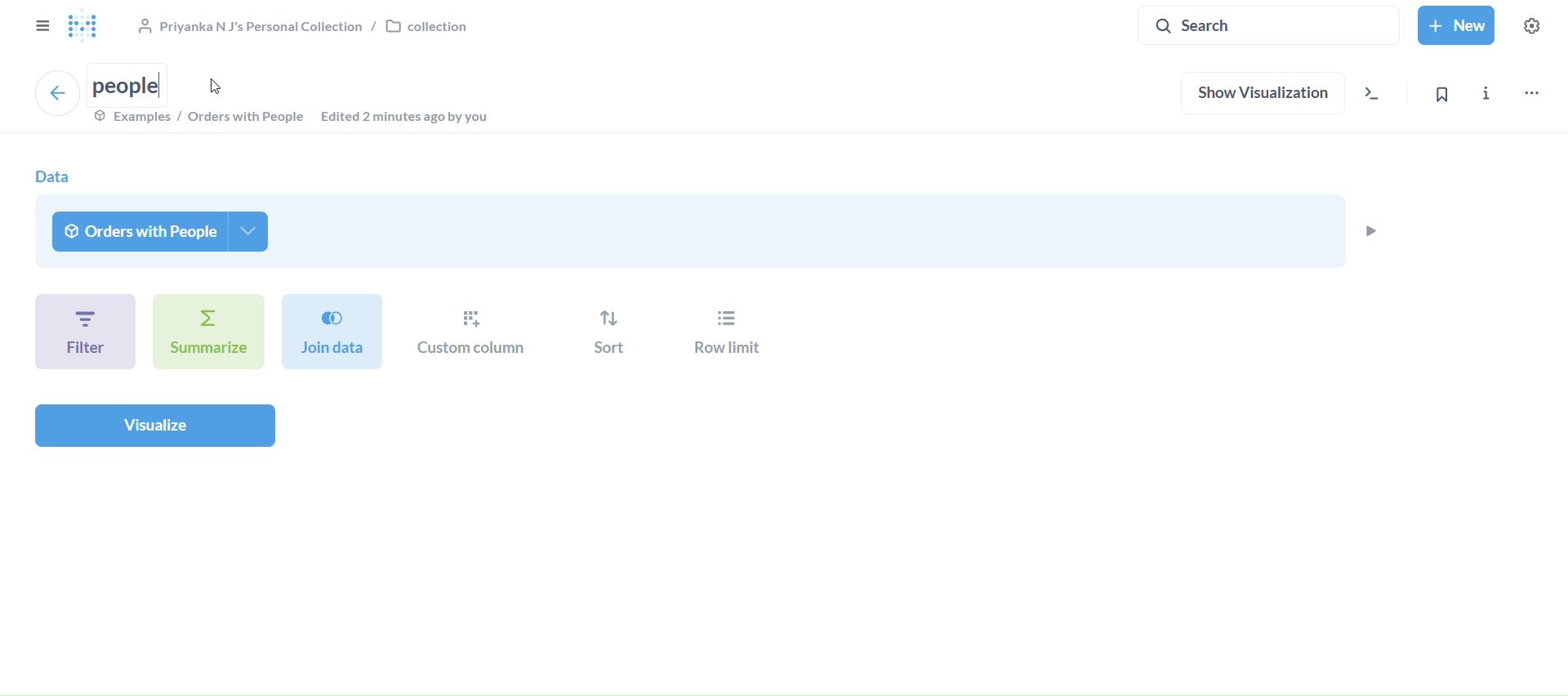 The width and height of the screenshot is (1568, 696). Describe the element at coordinates (609, 333) in the screenshot. I see `sort` at that location.